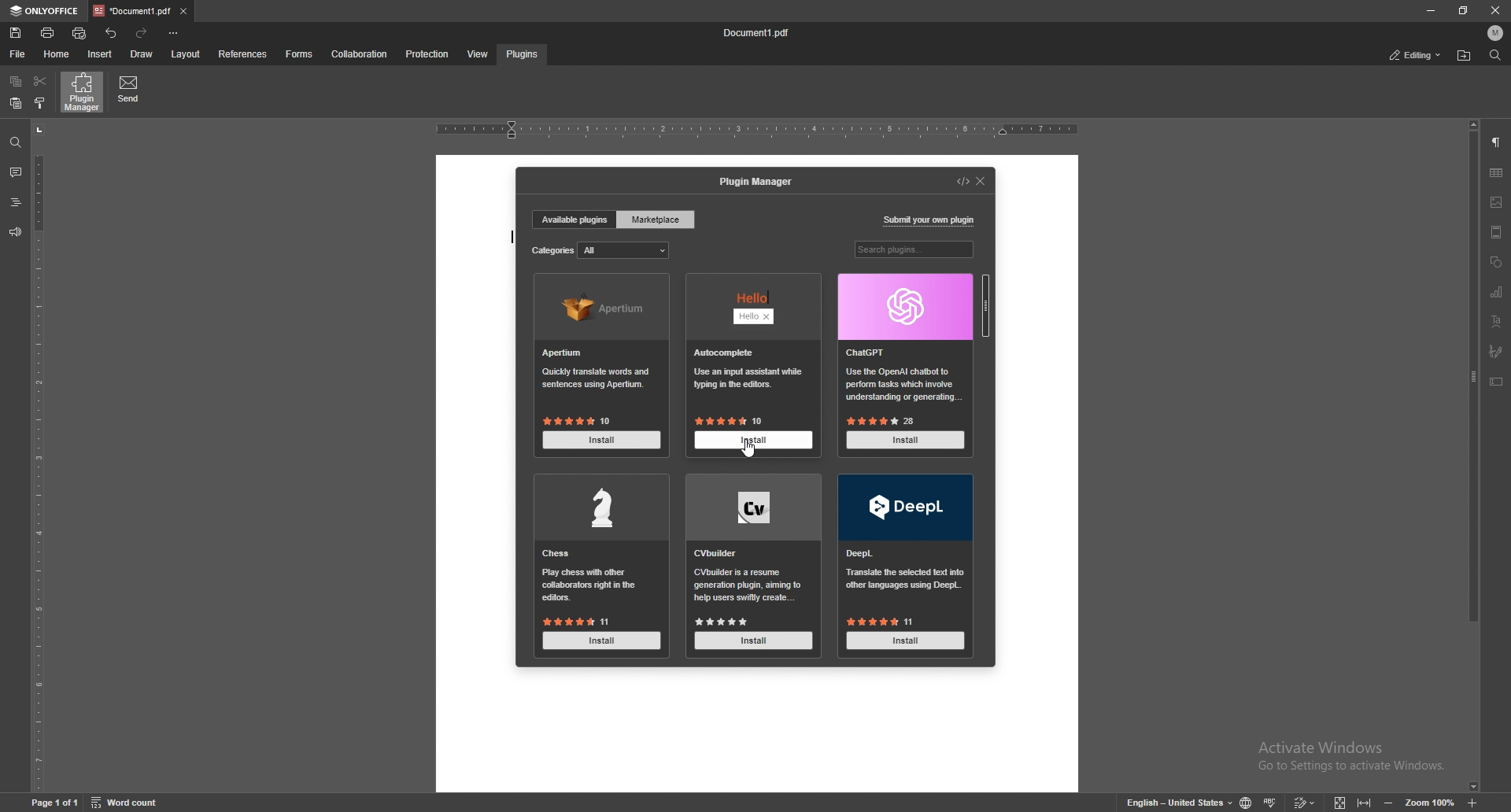  What do you see at coordinates (39, 457) in the screenshot?
I see `vertical scale` at bounding box center [39, 457].